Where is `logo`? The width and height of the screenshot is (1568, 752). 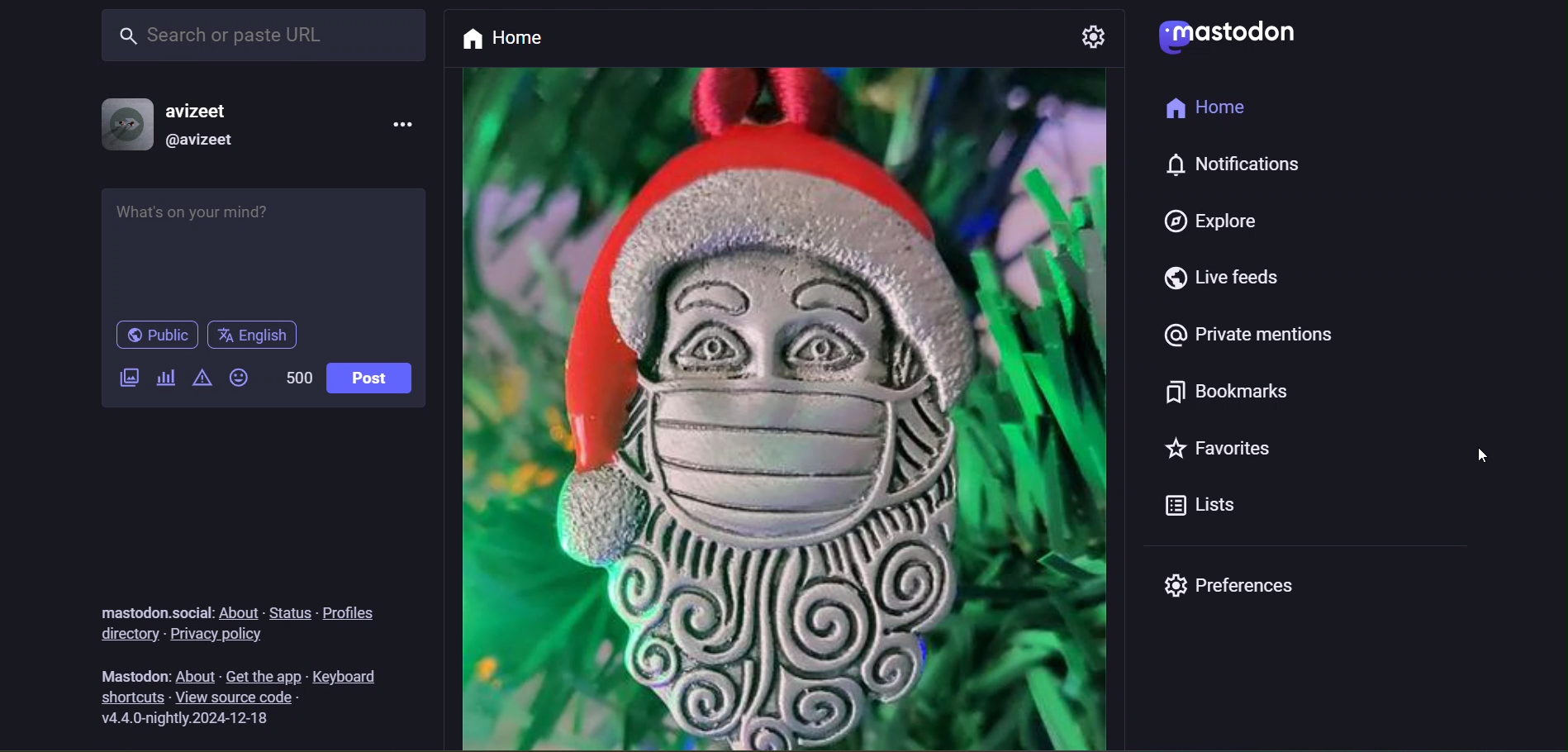
logo is located at coordinates (1225, 36).